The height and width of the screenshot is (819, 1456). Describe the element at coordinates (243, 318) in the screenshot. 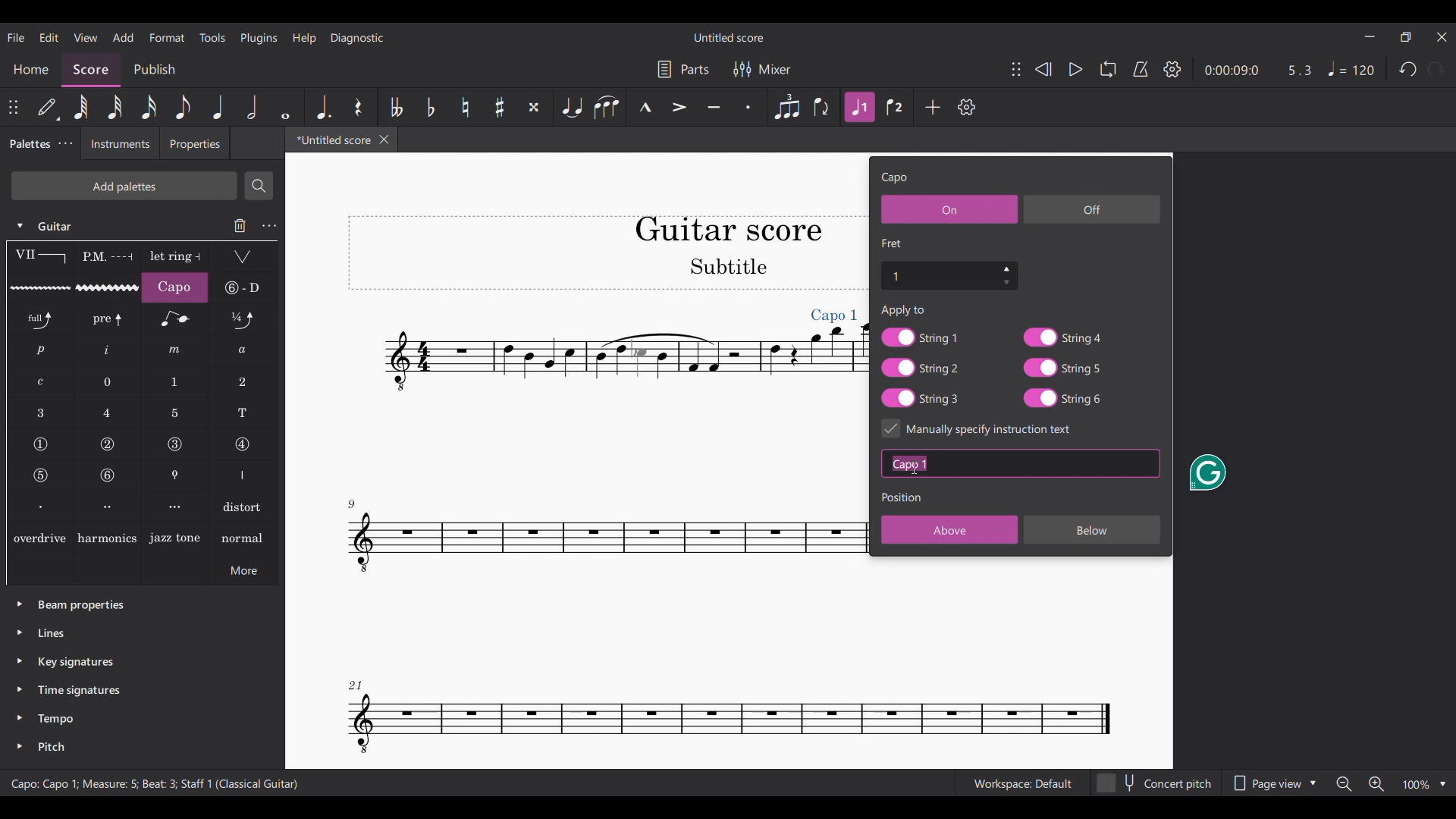

I see `Slight bend` at that location.